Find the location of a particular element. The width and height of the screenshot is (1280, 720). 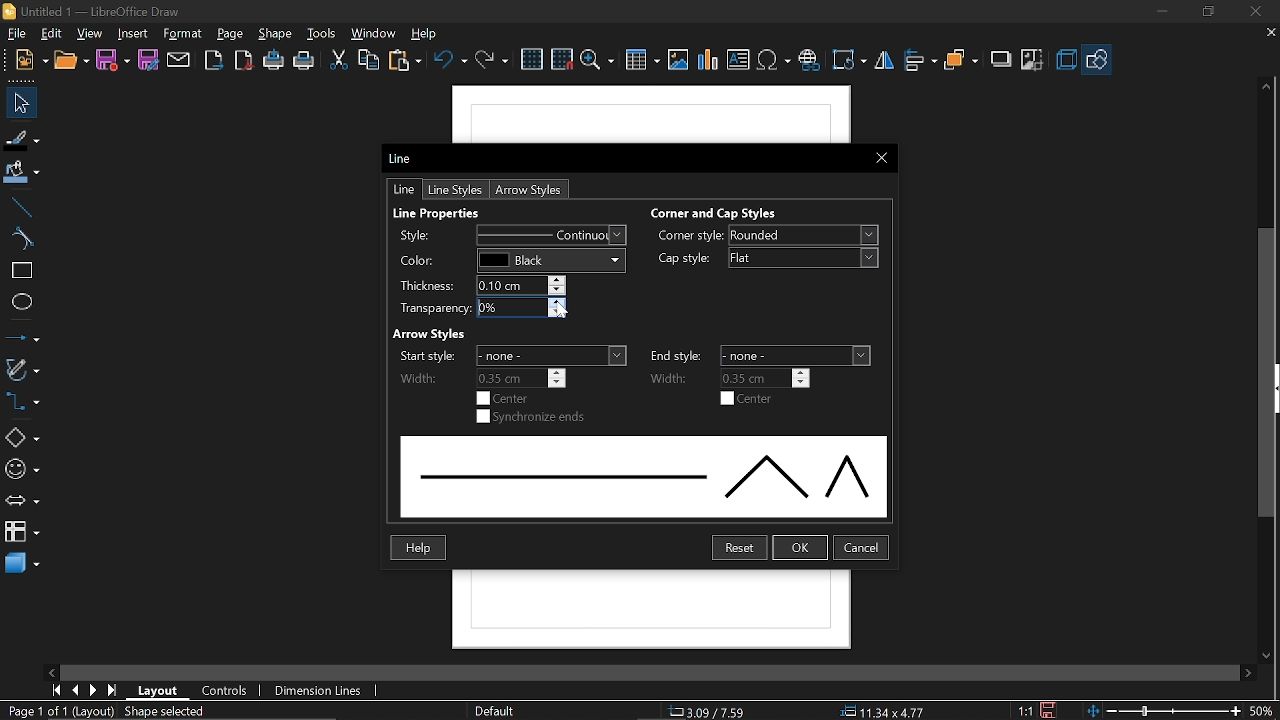

new is located at coordinates (28, 60).